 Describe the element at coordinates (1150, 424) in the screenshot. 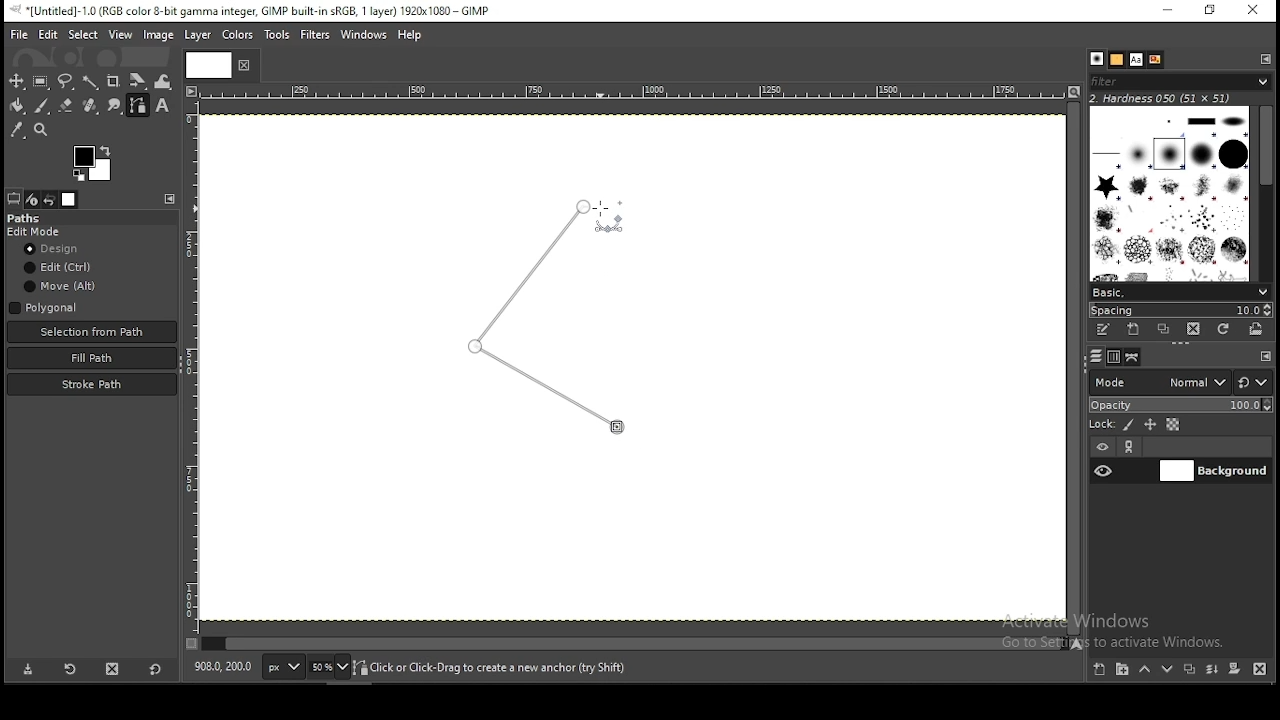

I see `lock position and size` at that location.